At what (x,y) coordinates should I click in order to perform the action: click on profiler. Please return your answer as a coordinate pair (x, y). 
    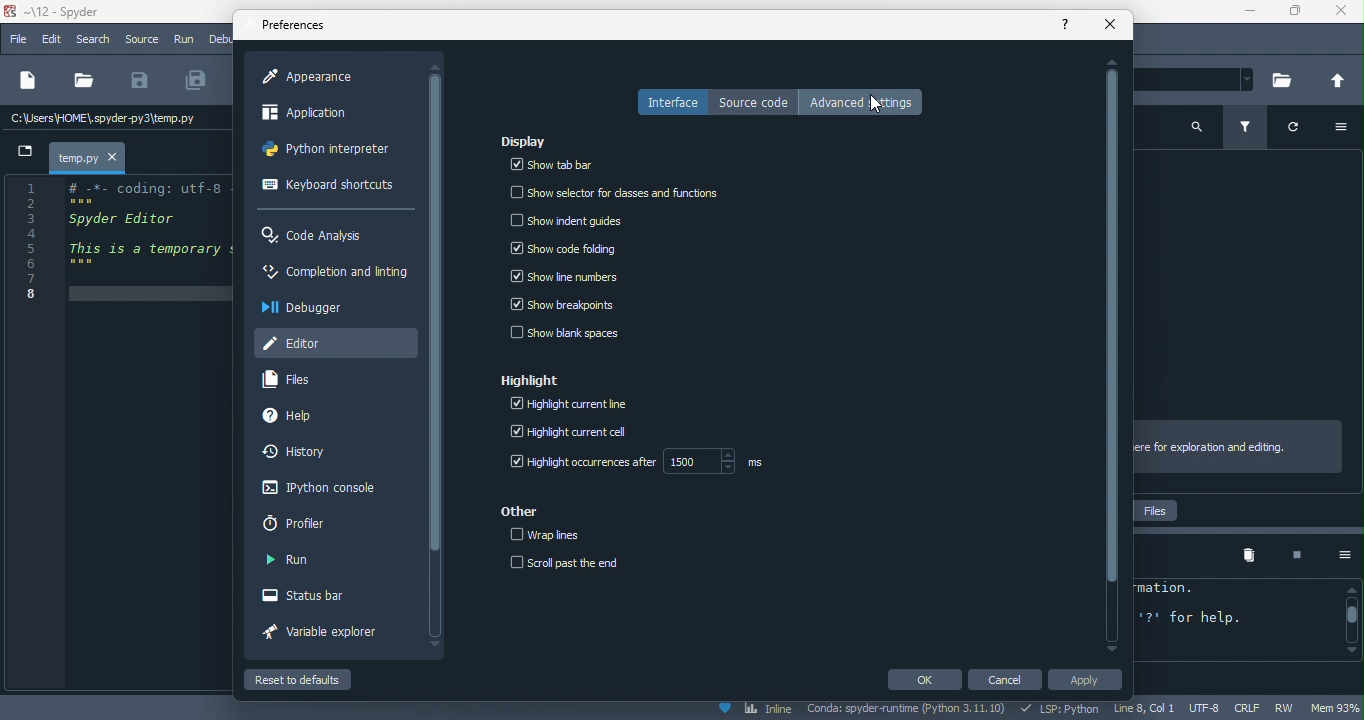
    Looking at the image, I should click on (304, 523).